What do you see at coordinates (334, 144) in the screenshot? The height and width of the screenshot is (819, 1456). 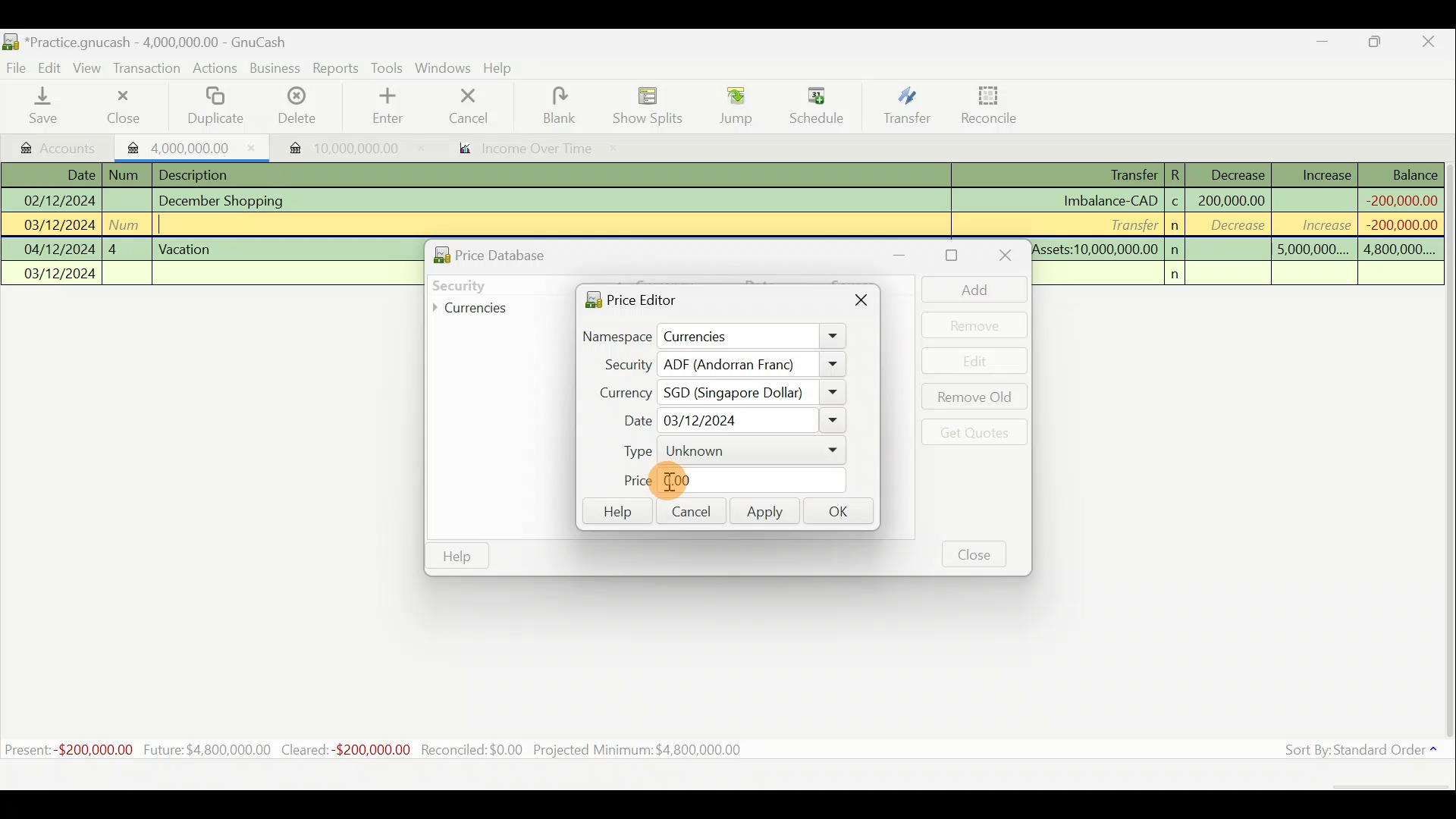 I see `Imported transaction` at bounding box center [334, 144].